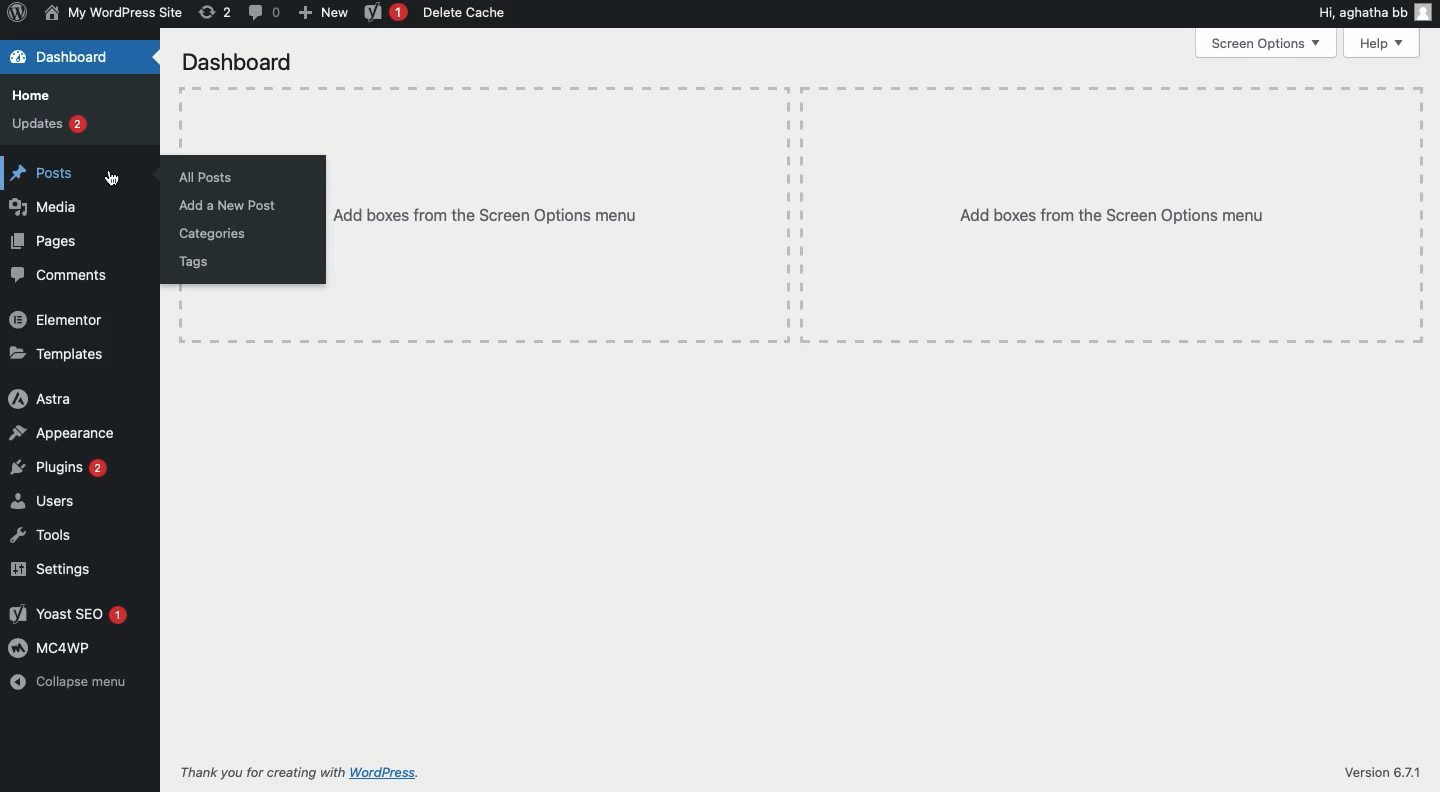  Describe the element at coordinates (61, 320) in the screenshot. I see `Elementor` at that location.